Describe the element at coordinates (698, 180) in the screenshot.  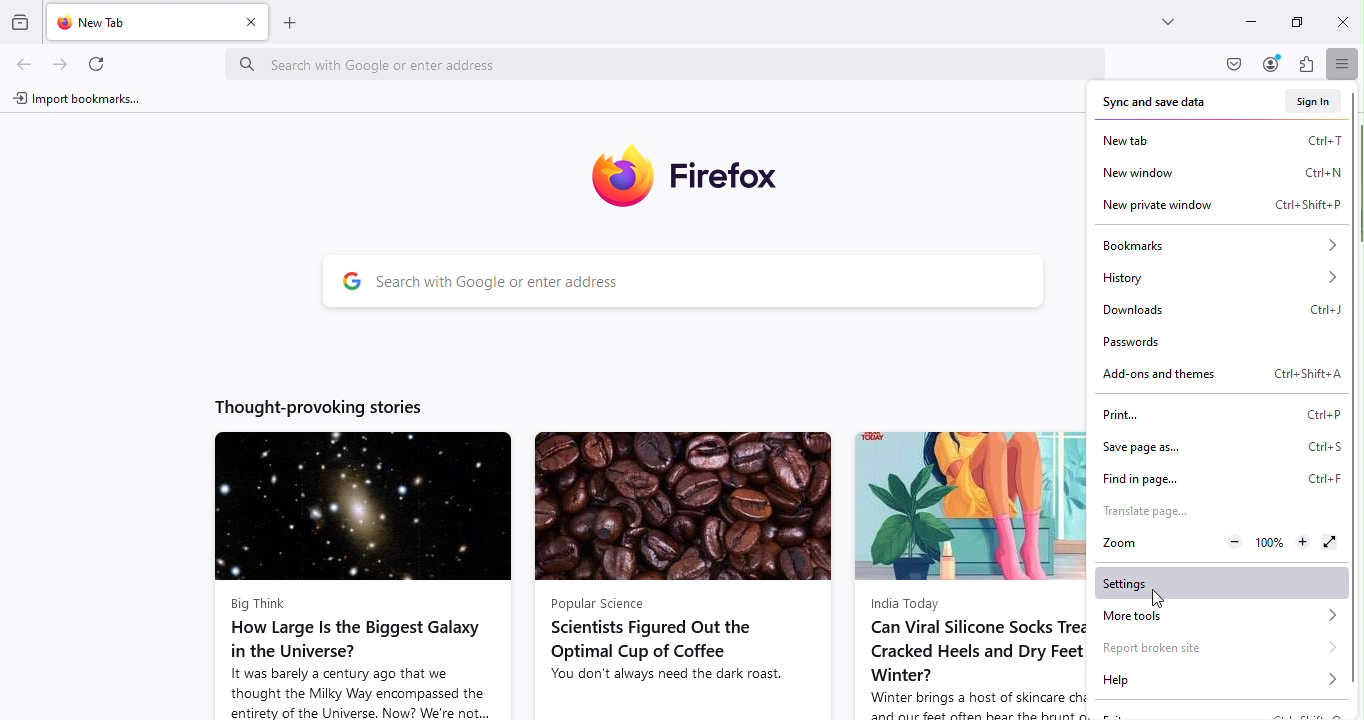
I see `Firefox icon` at that location.